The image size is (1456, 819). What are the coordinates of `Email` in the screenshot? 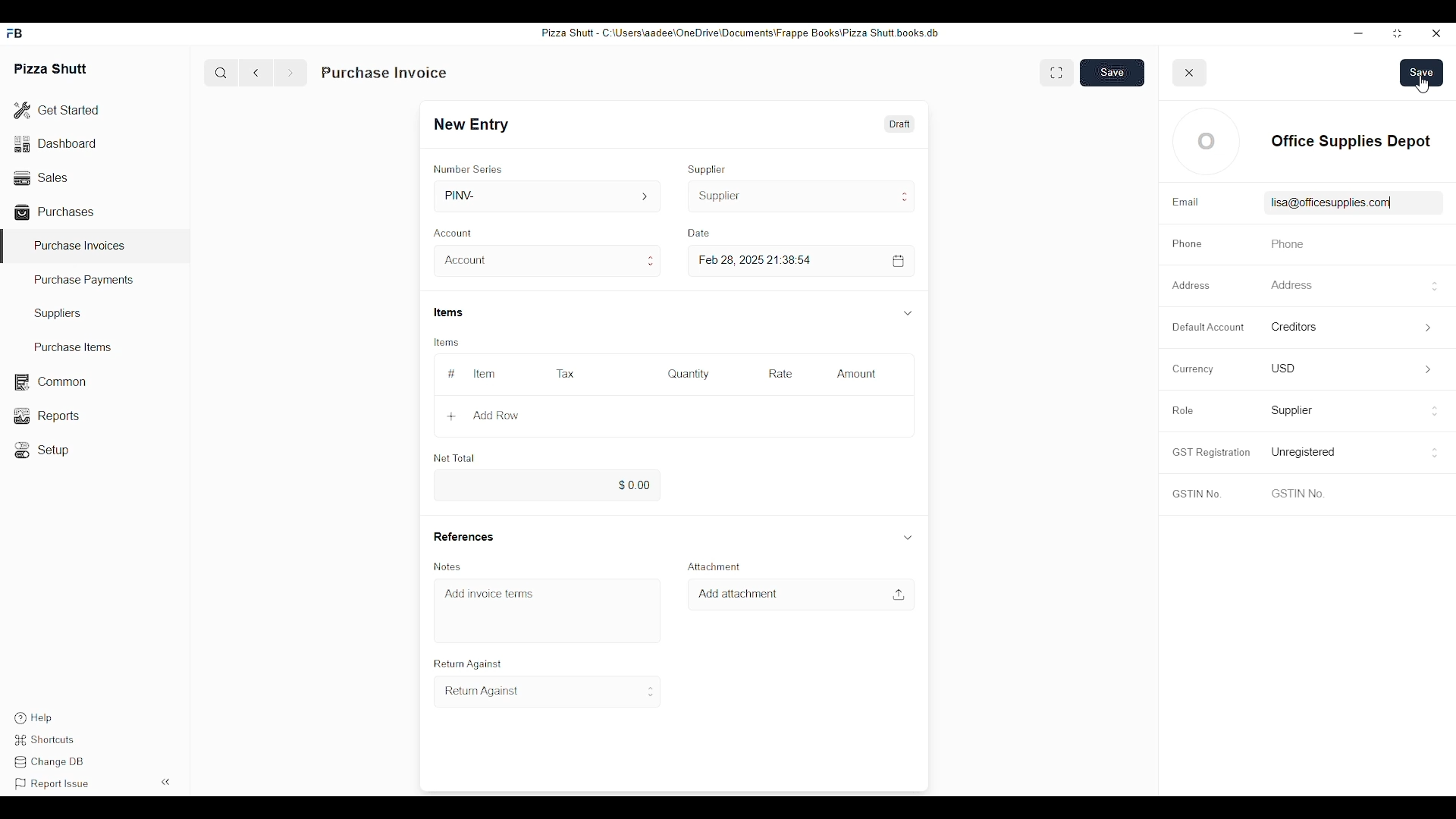 It's located at (1185, 202).